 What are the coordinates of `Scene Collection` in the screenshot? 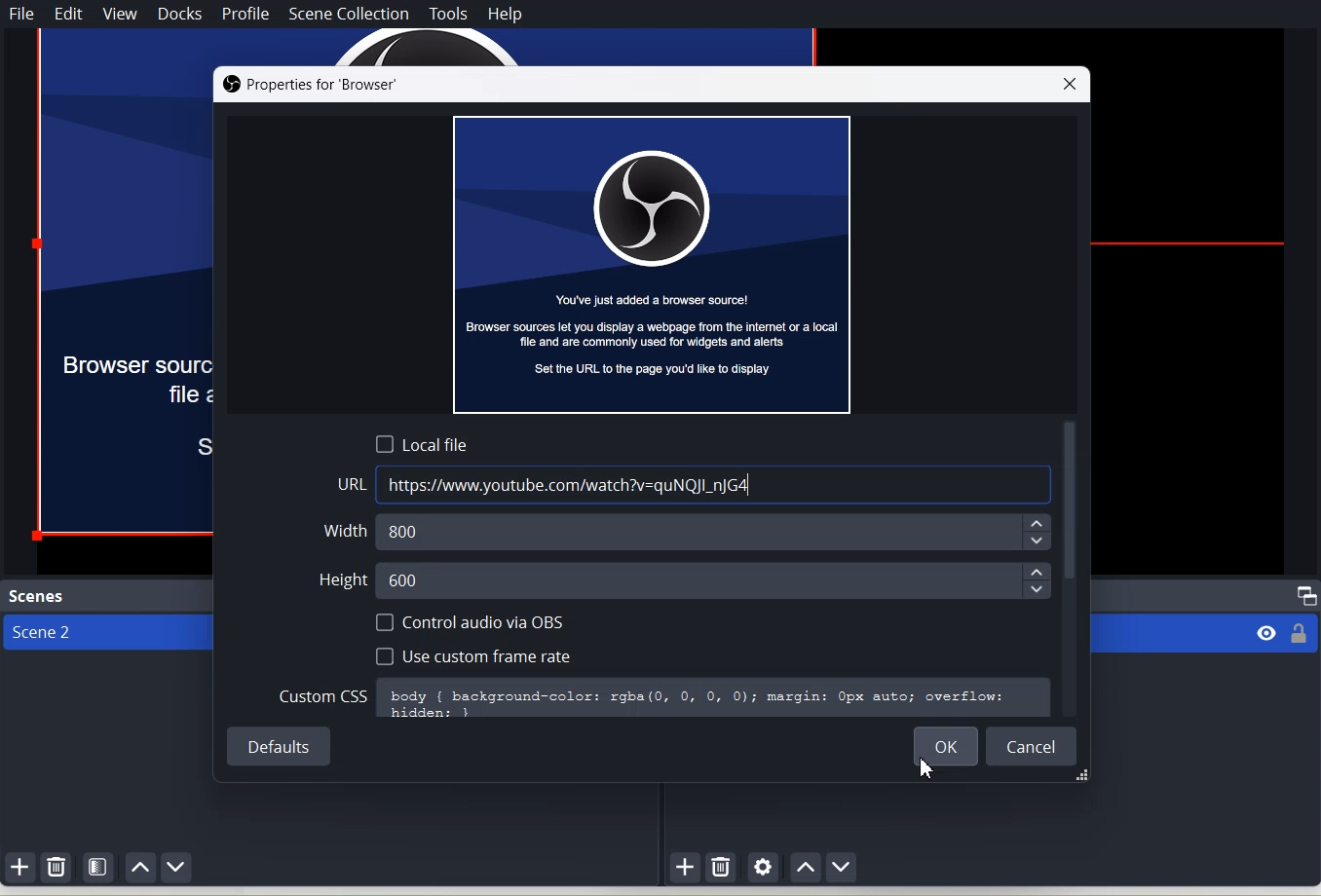 It's located at (348, 14).